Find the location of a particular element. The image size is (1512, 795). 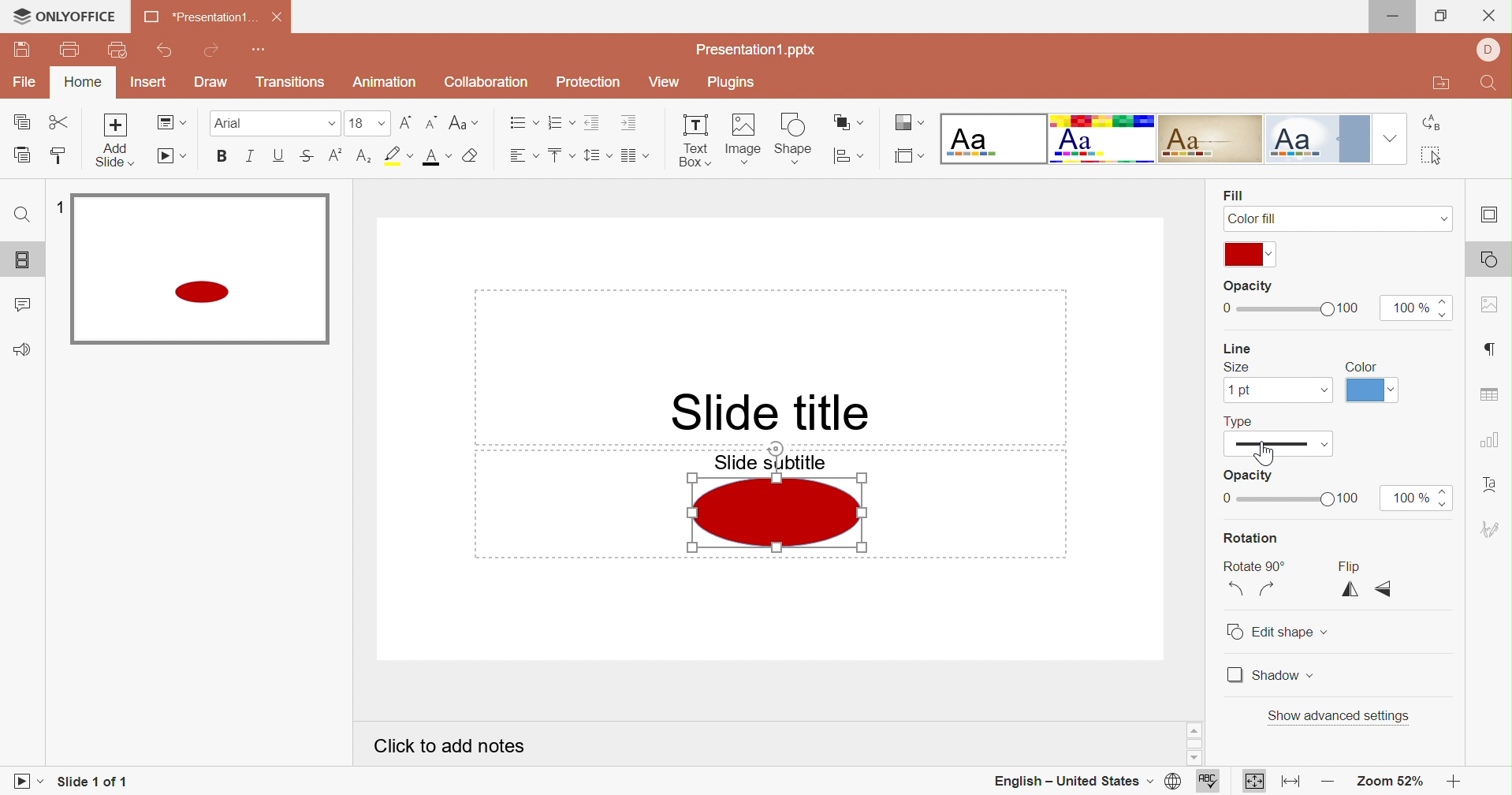

Restore down is located at coordinates (1439, 17).